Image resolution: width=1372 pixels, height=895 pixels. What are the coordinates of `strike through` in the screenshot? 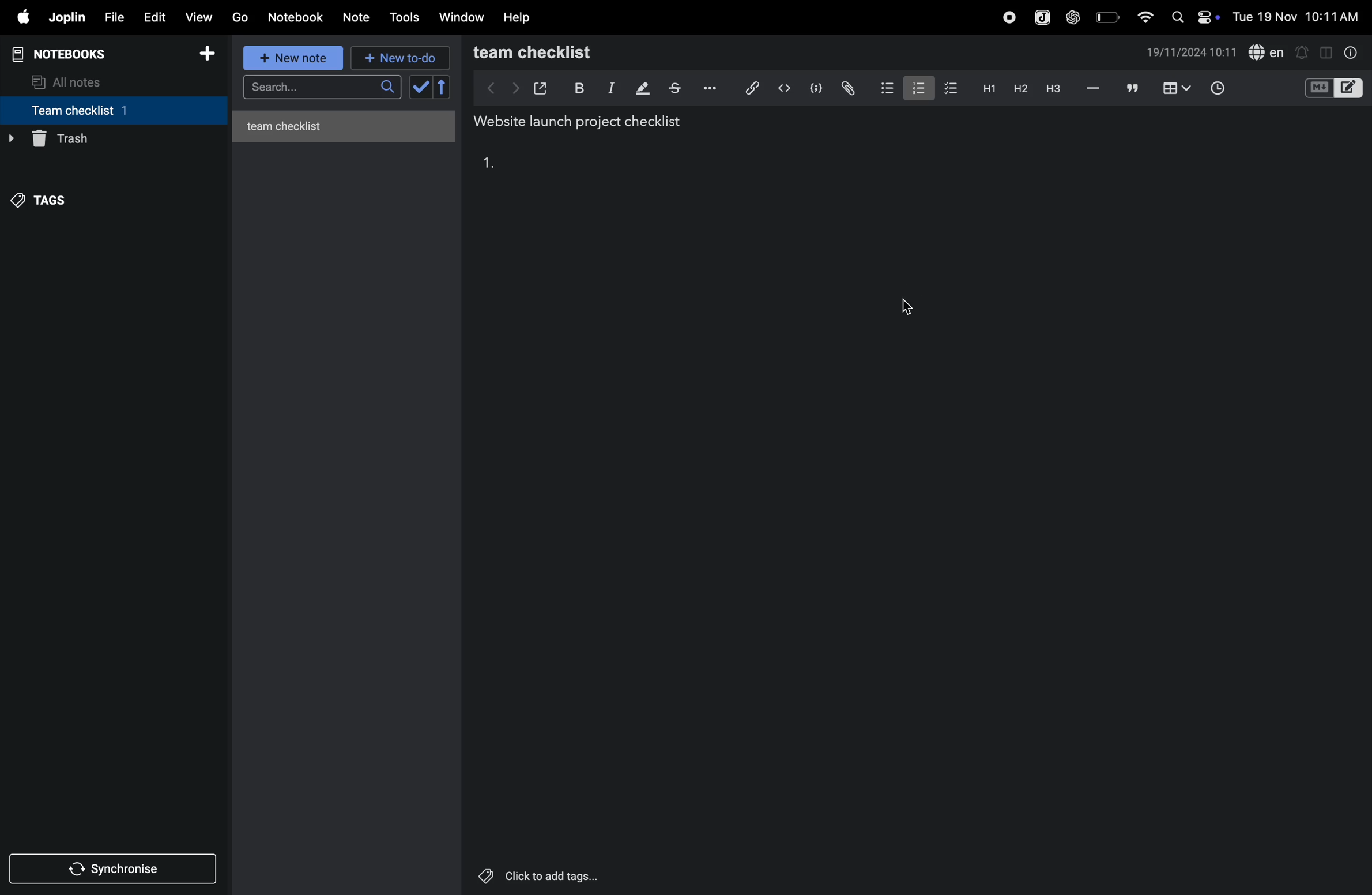 It's located at (674, 88).